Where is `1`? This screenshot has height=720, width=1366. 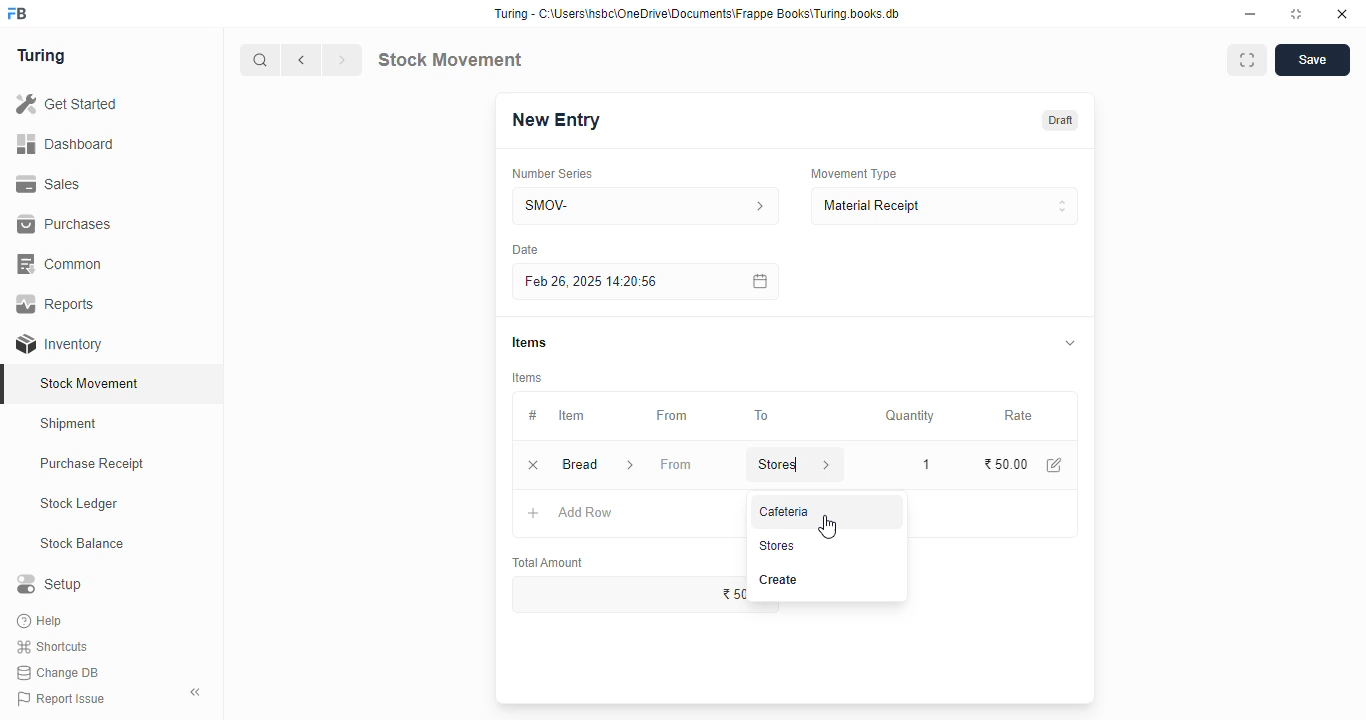
1 is located at coordinates (922, 463).